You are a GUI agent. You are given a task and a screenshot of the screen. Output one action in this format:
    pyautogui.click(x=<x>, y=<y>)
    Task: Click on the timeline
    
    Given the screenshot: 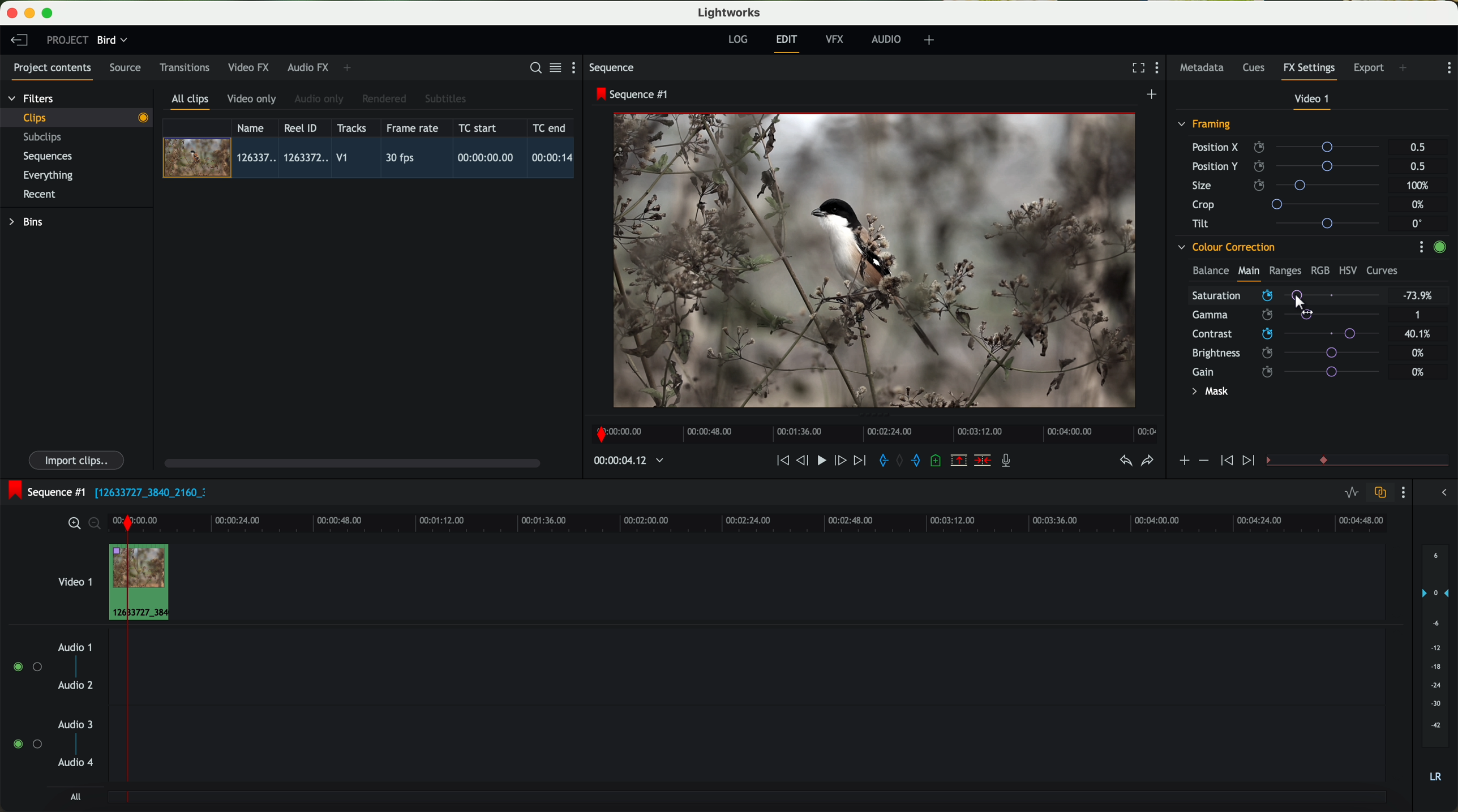 What is the action you would take?
    pyautogui.click(x=623, y=461)
    